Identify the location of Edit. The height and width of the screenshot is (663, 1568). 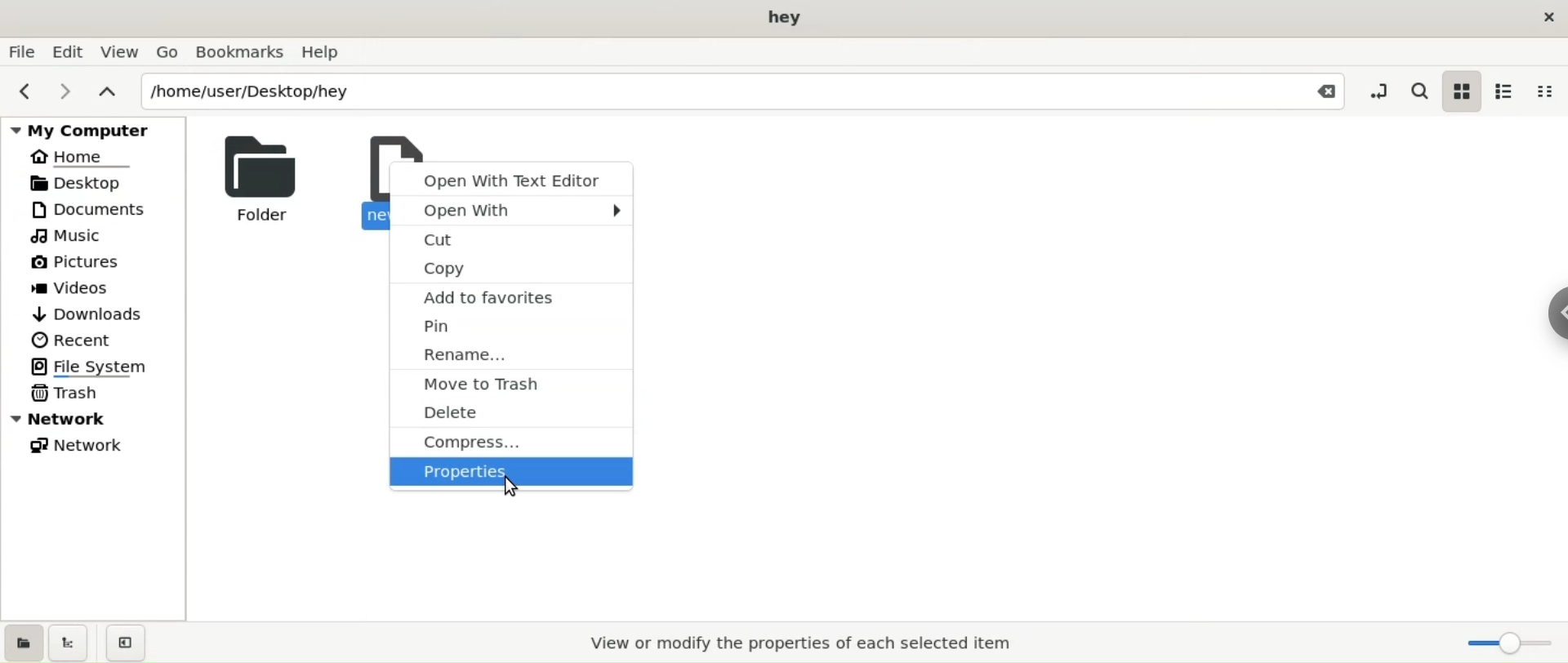
(71, 51).